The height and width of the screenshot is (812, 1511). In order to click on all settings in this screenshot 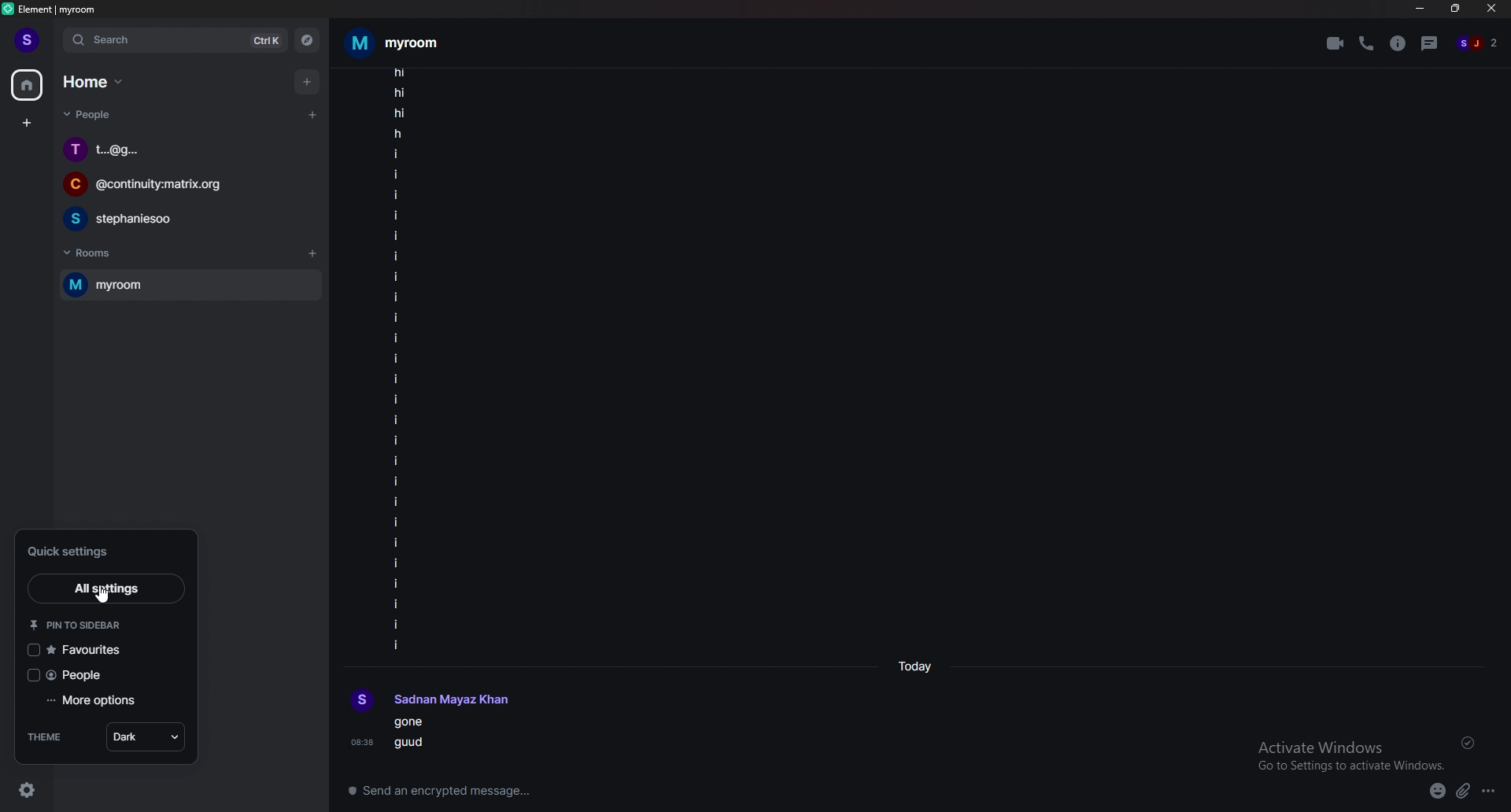, I will do `click(105, 589)`.